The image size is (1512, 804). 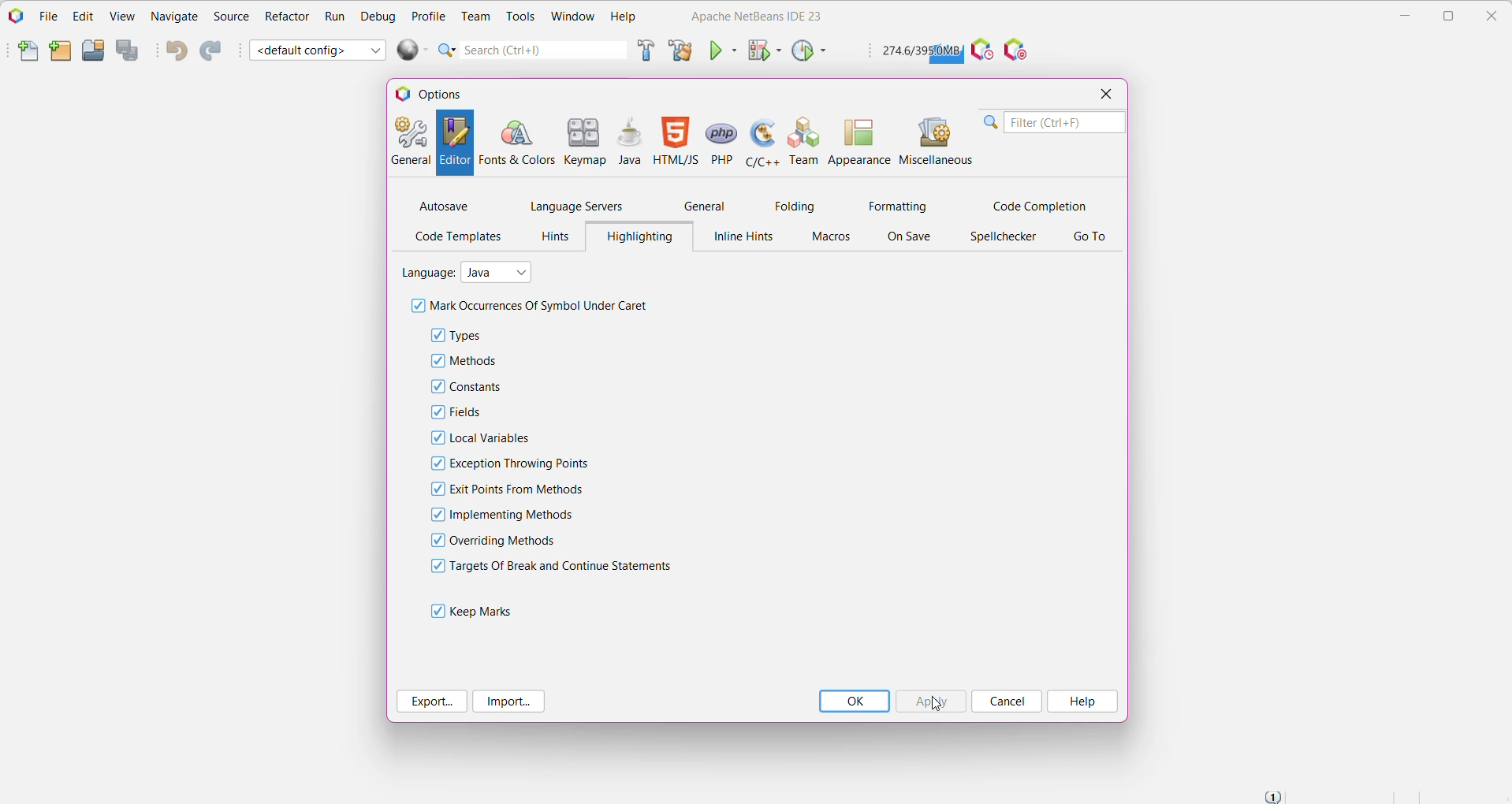 I want to click on Code Templates, so click(x=458, y=238).